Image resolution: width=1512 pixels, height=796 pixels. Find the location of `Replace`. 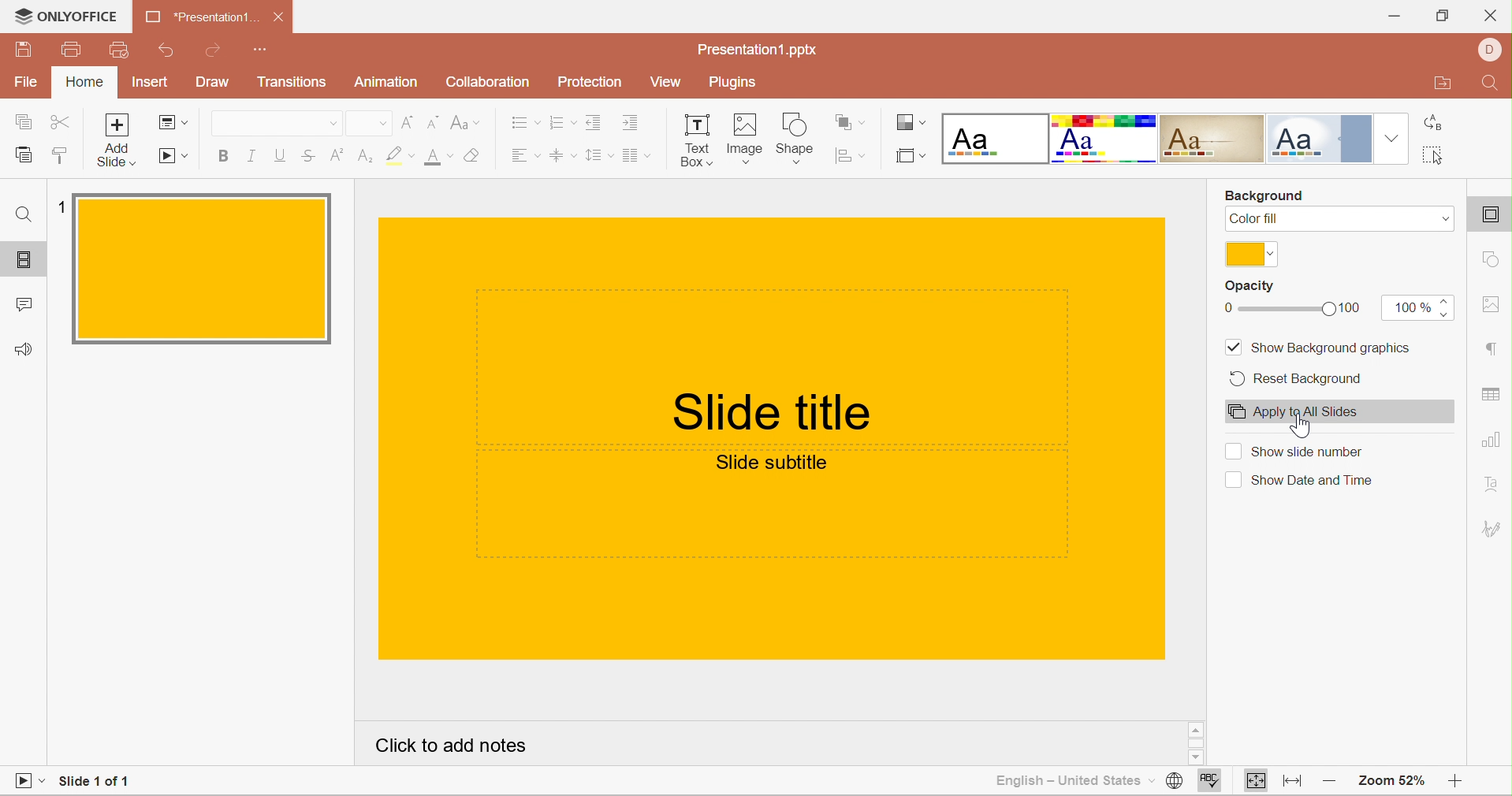

Replace is located at coordinates (1434, 125).